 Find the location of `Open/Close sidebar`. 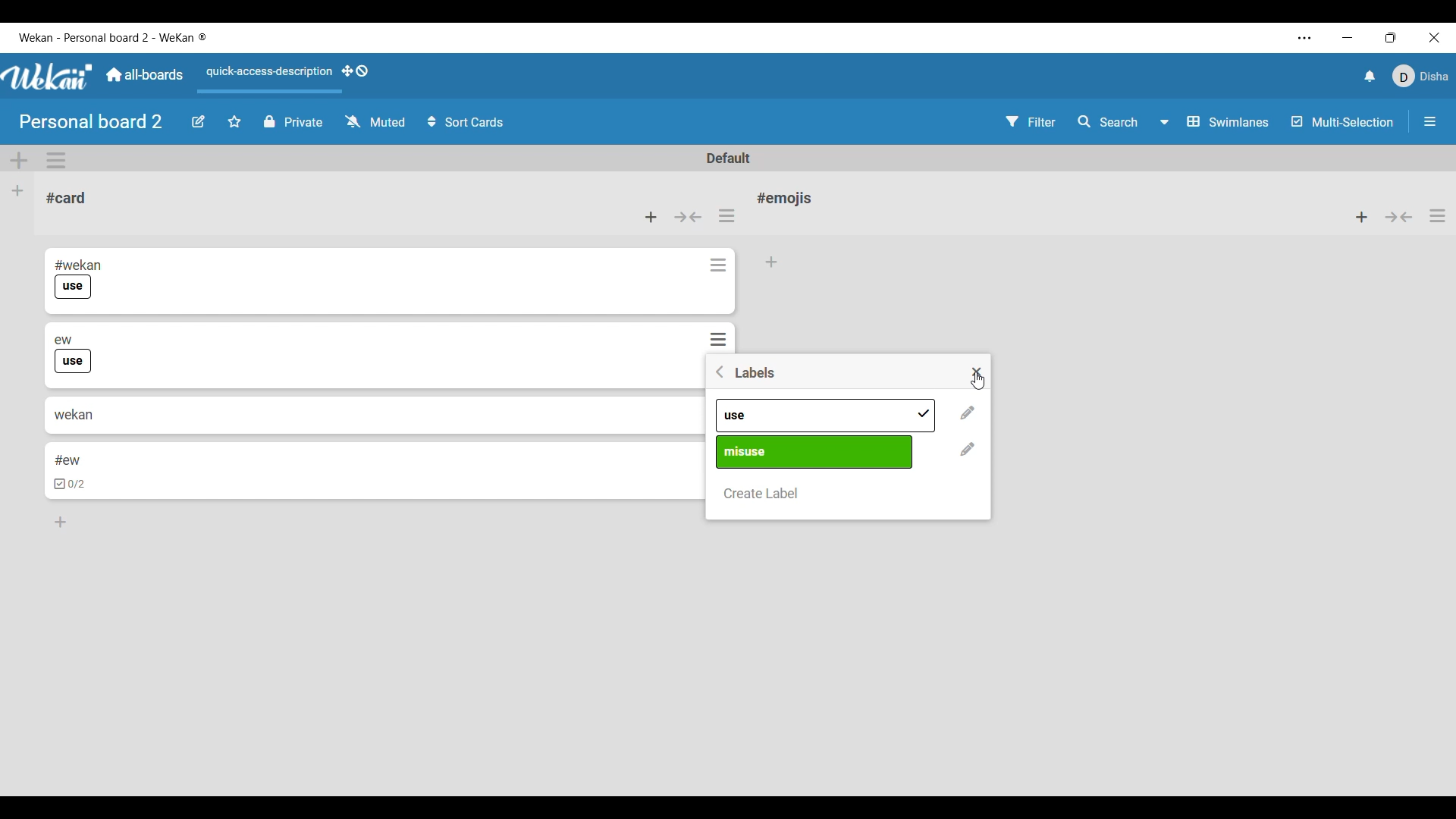

Open/Close sidebar is located at coordinates (1430, 121).